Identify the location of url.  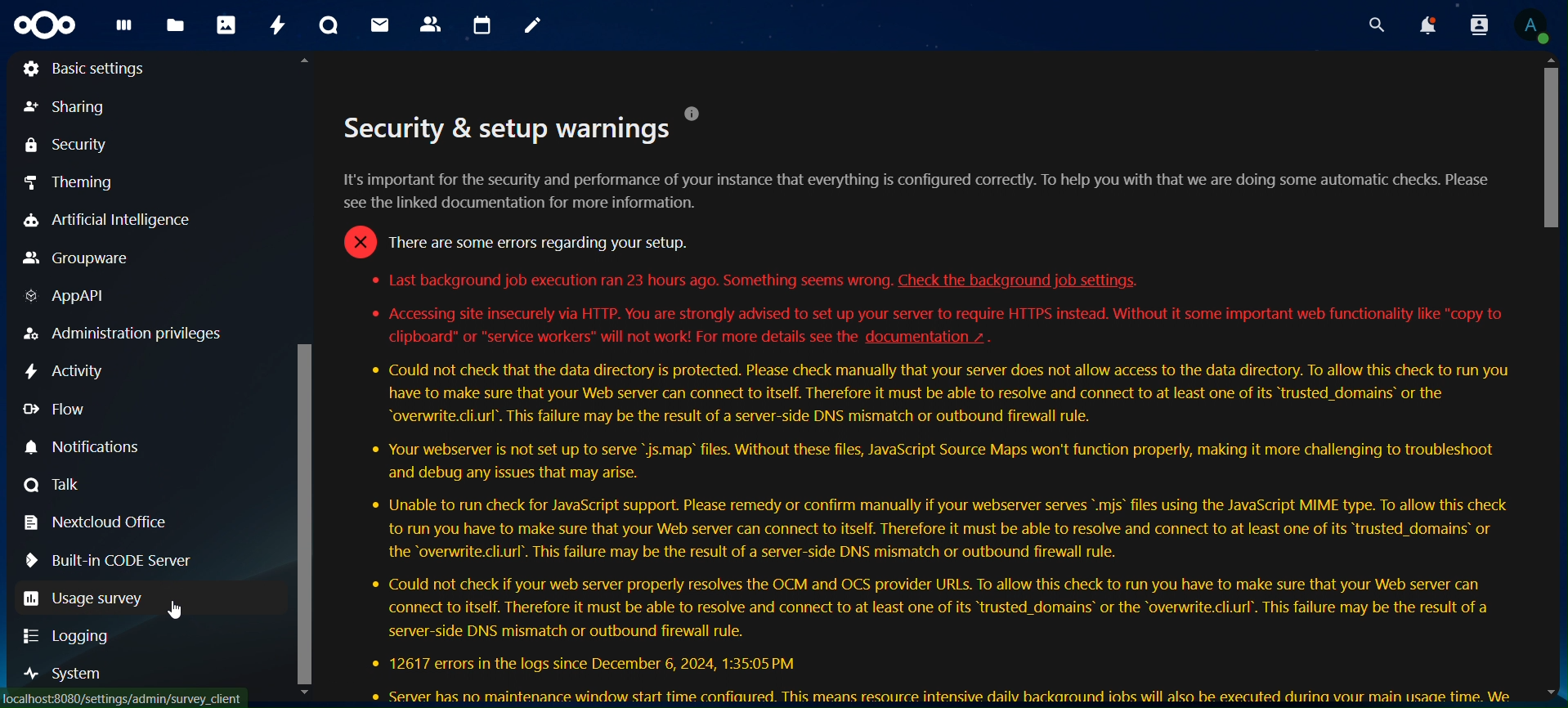
(128, 697).